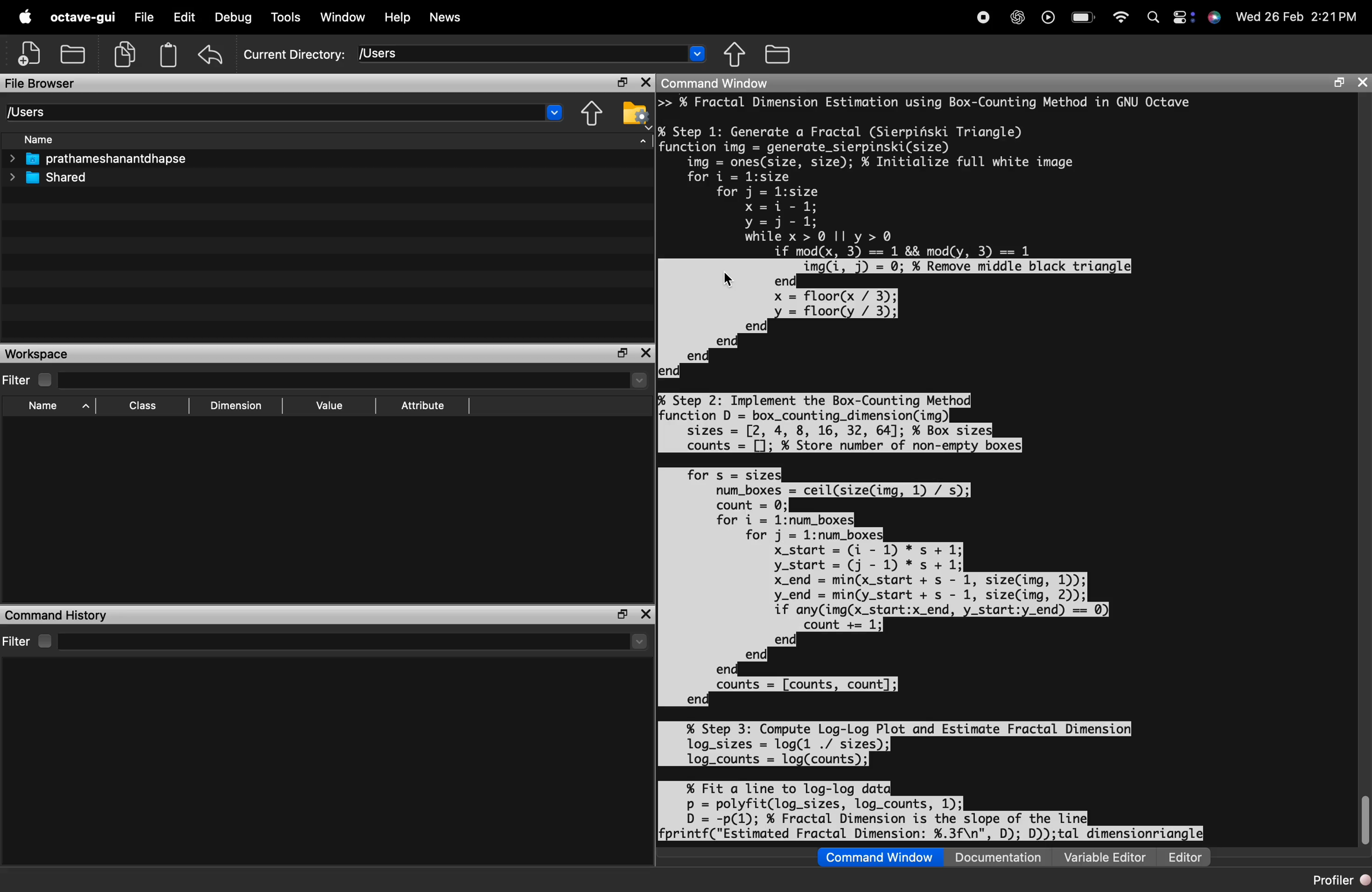 The height and width of the screenshot is (892, 1372). What do you see at coordinates (95, 157) in the screenshot?
I see `prathameshanantdhapse` at bounding box center [95, 157].